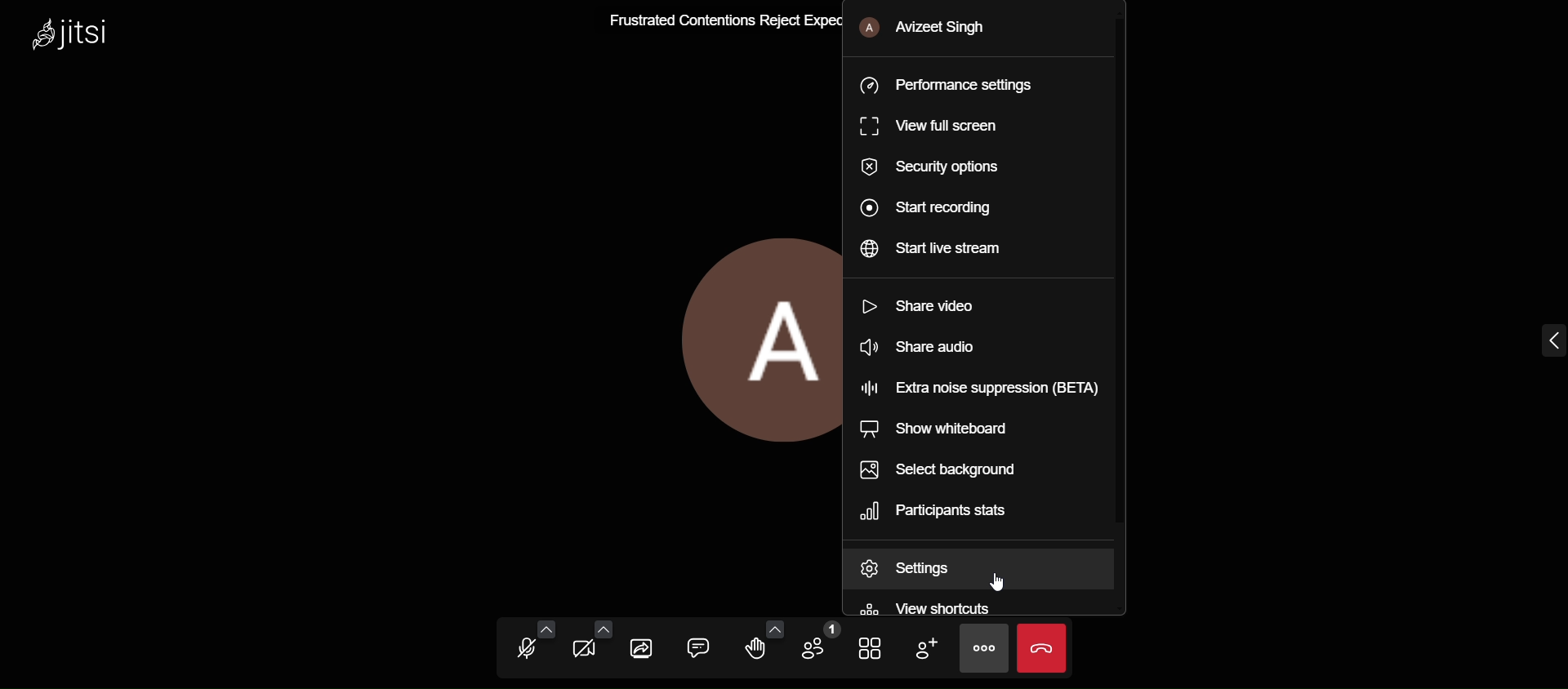  I want to click on participants, so click(817, 640).